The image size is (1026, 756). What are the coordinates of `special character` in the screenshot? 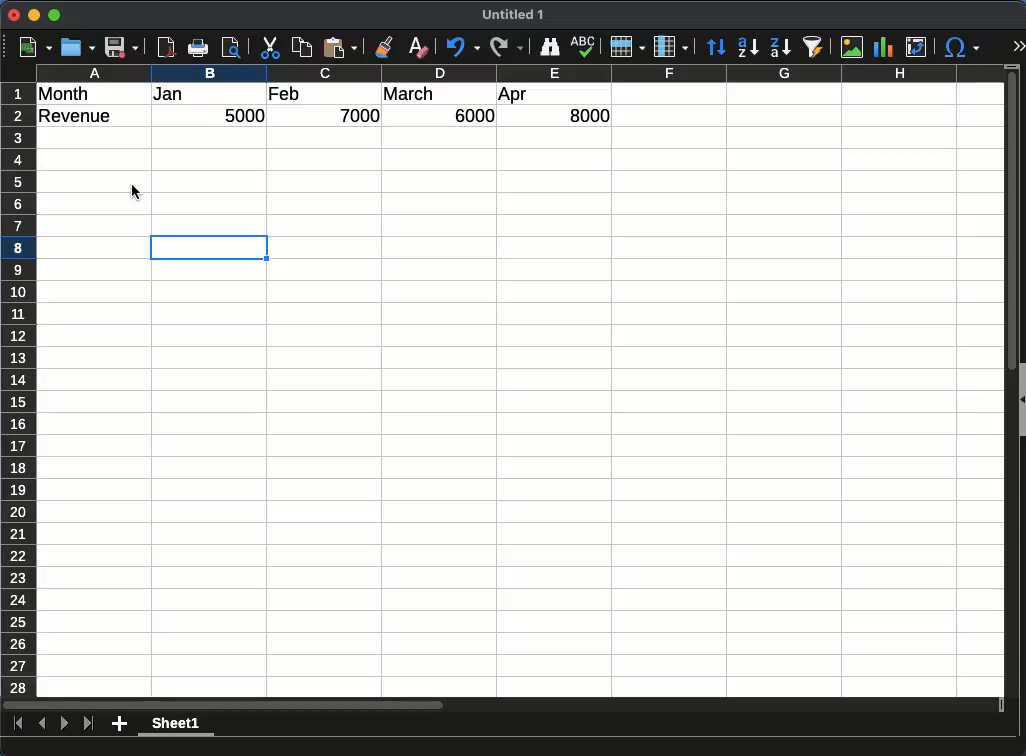 It's located at (962, 47).